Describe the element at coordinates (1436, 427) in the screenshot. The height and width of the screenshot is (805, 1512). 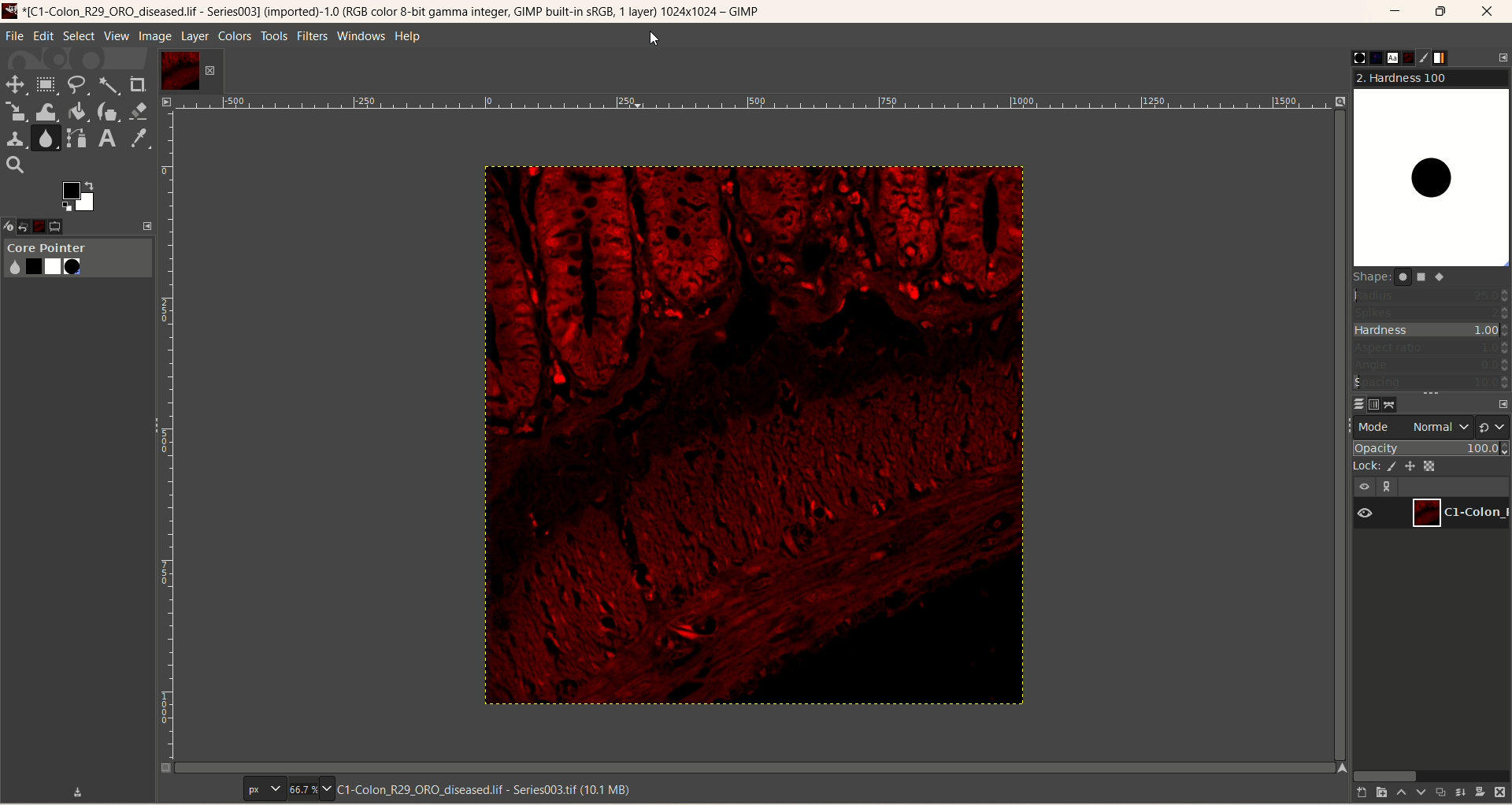
I see `normal` at that location.